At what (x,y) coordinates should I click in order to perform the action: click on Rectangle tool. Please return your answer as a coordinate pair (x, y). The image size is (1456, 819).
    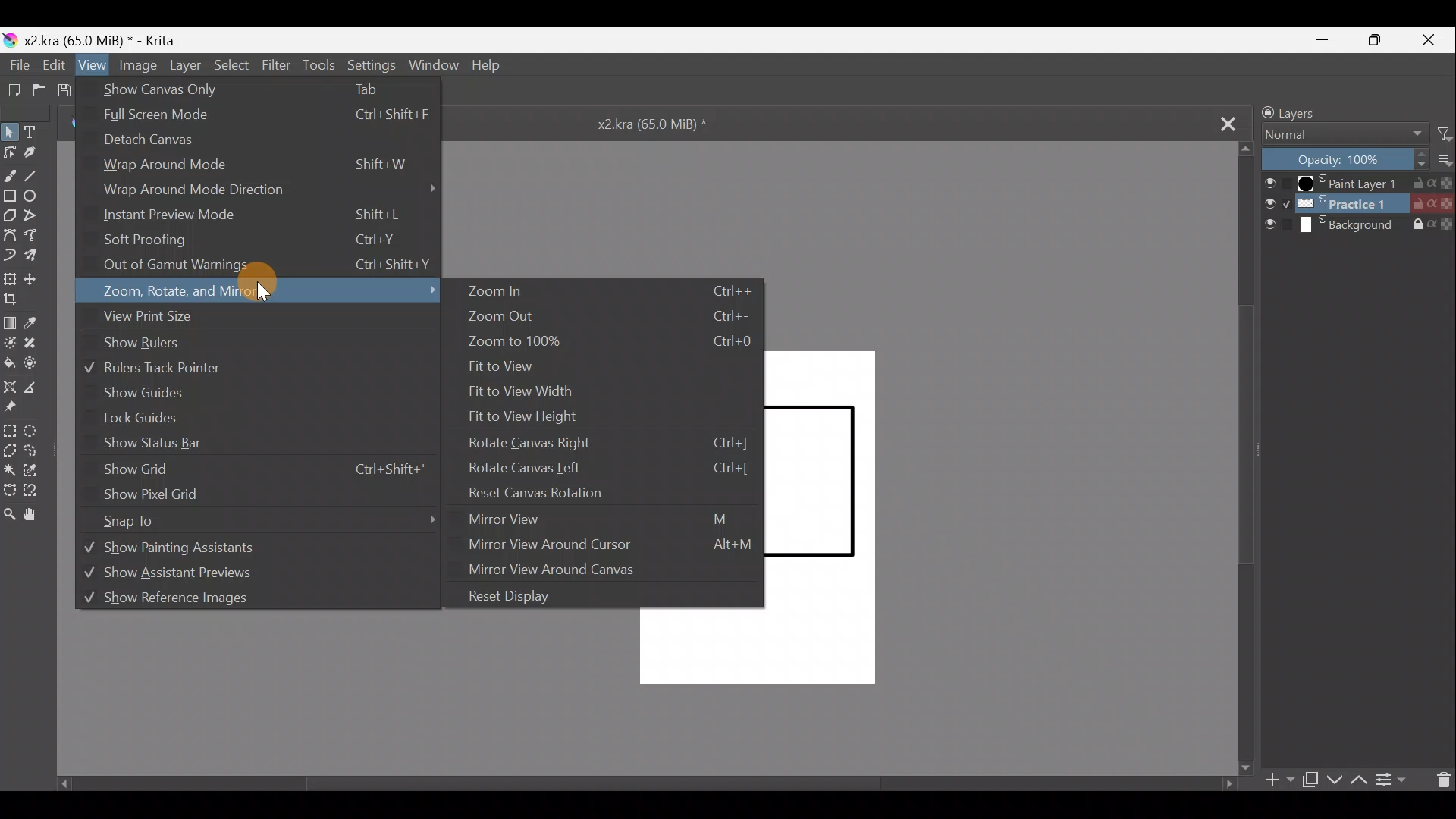
    Looking at the image, I should click on (9, 193).